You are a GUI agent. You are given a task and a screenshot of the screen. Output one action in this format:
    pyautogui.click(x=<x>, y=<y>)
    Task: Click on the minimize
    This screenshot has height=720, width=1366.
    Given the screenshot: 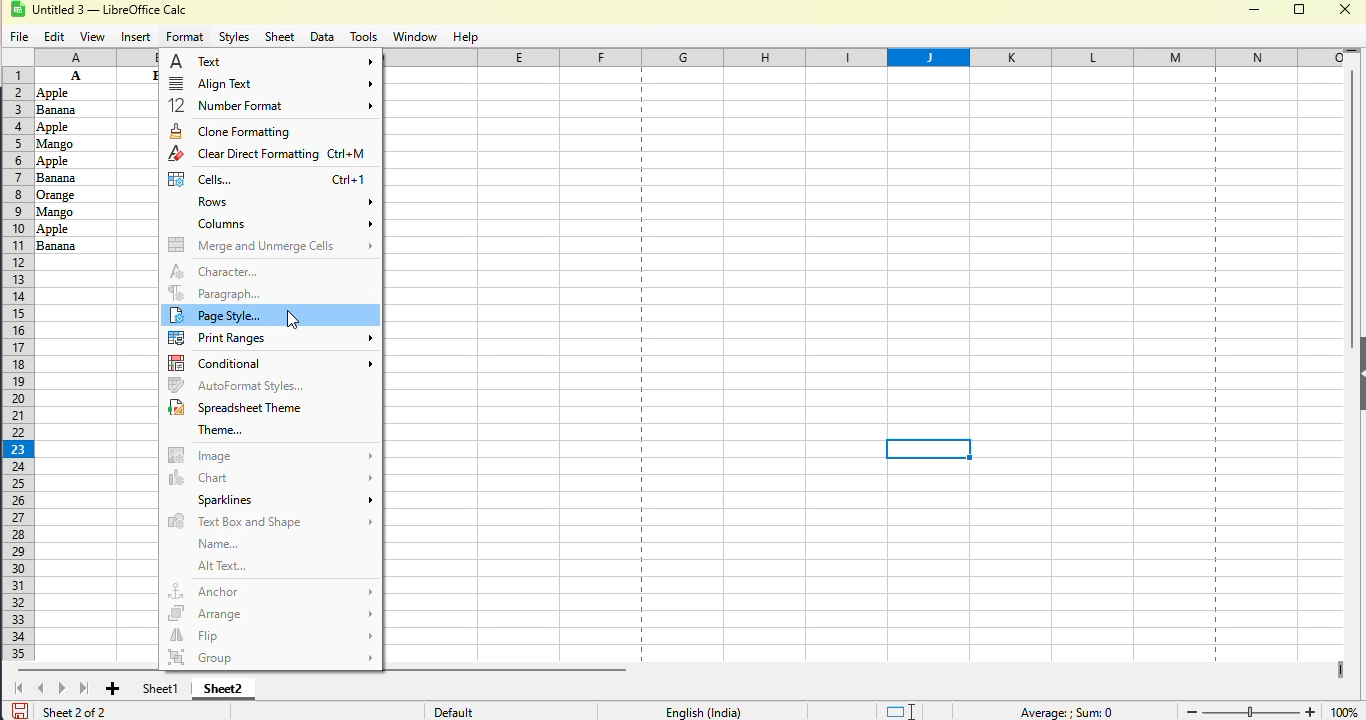 What is the action you would take?
    pyautogui.click(x=1254, y=10)
    